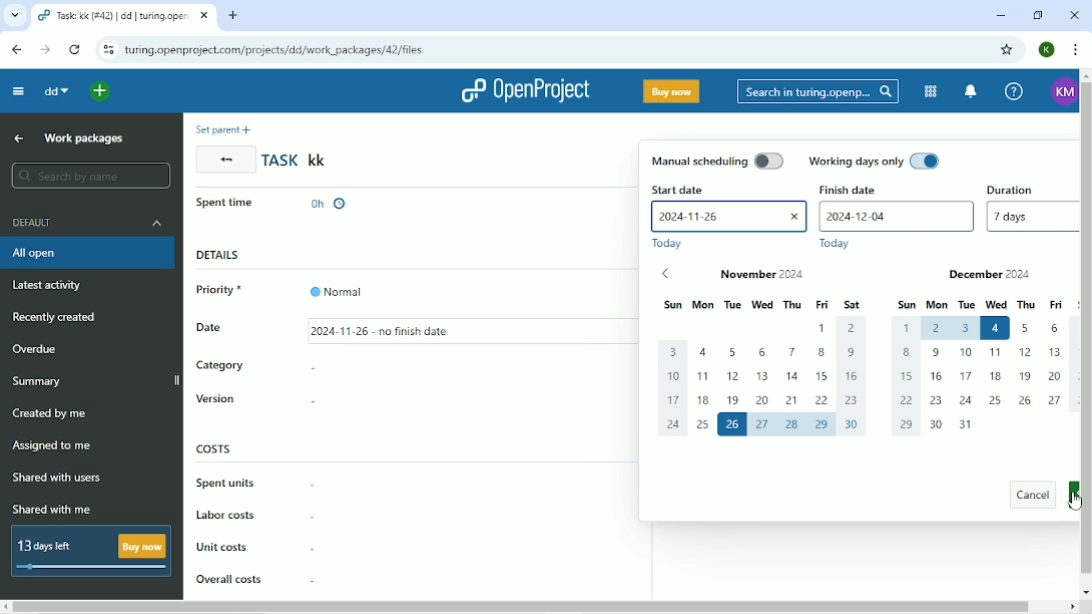 This screenshot has height=614, width=1092. Describe the element at coordinates (87, 176) in the screenshot. I see `Search by name` at that location.